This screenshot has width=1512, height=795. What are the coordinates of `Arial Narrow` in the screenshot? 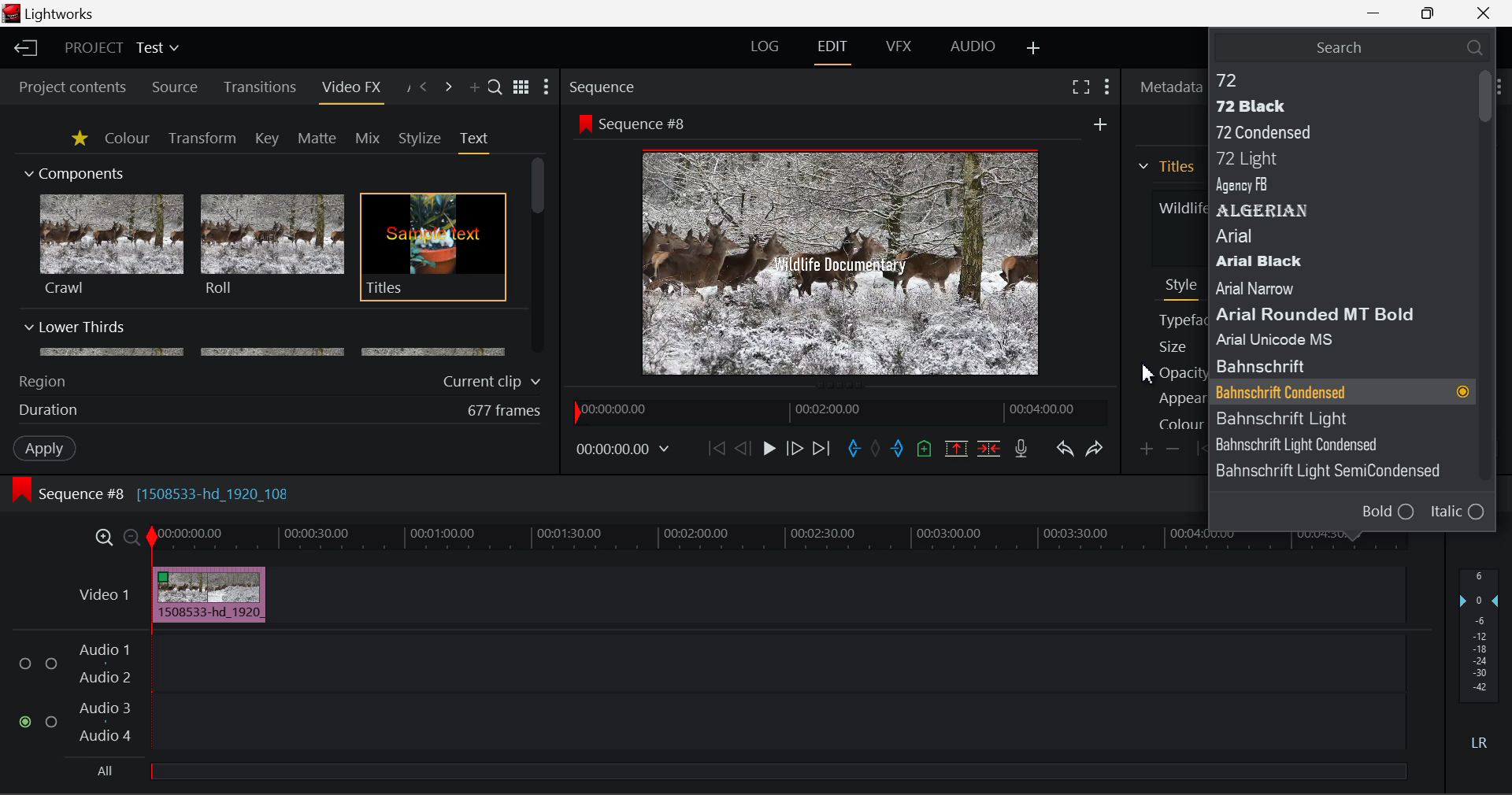 It's located at (1282, 289).